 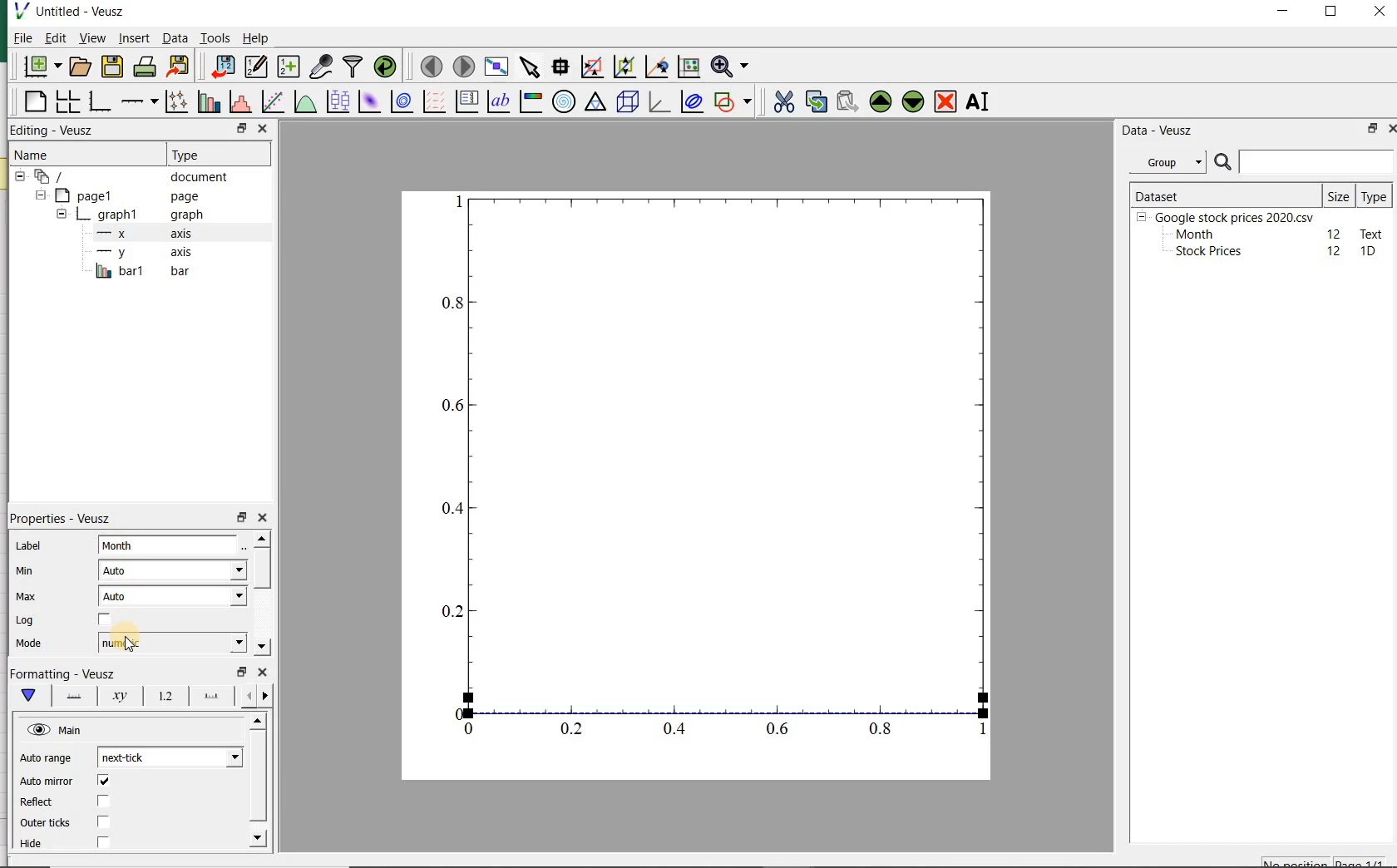 I want to click on close, so click(x=264, y=518).